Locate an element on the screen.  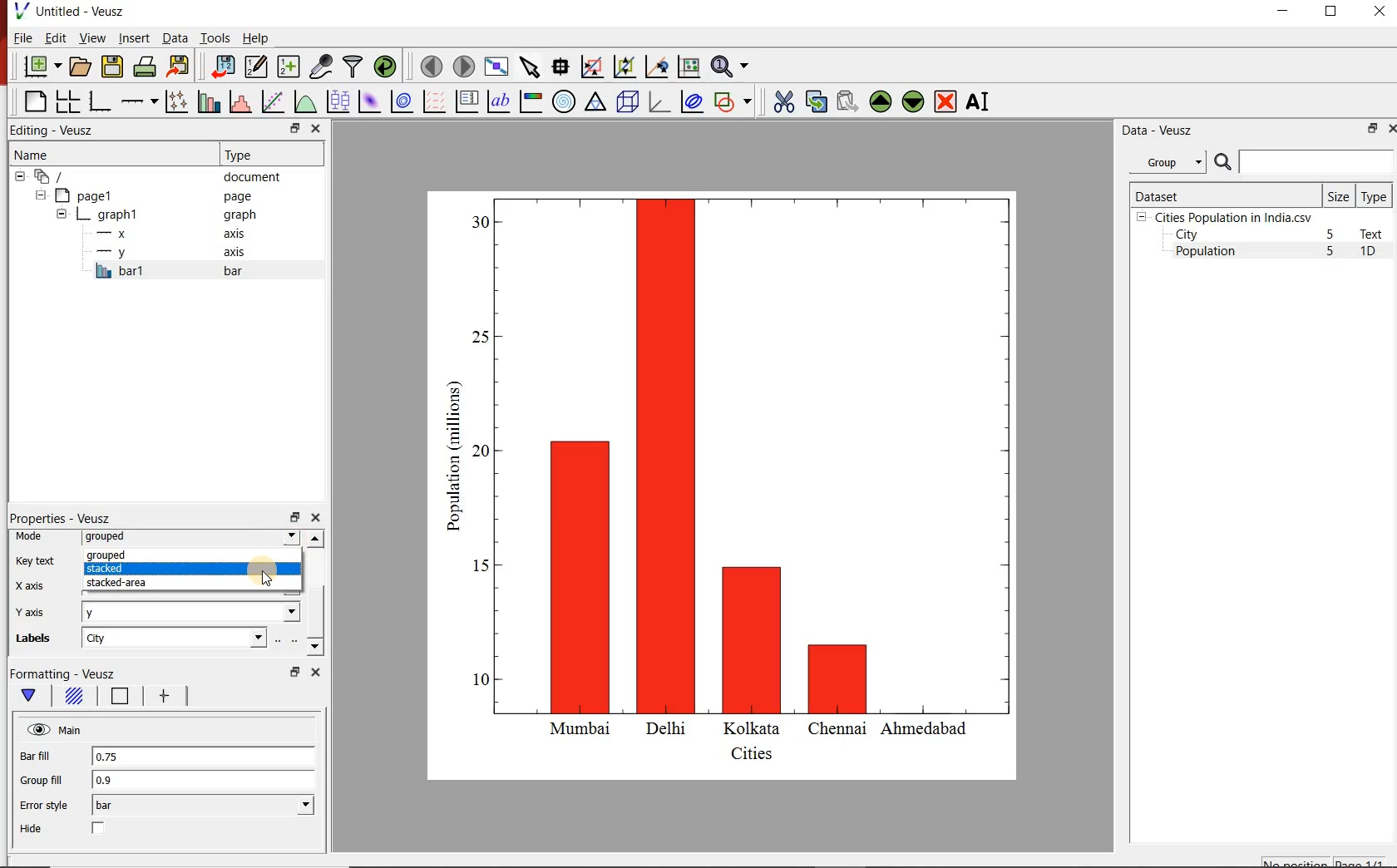
Type is located at coordinates (1375, 195).